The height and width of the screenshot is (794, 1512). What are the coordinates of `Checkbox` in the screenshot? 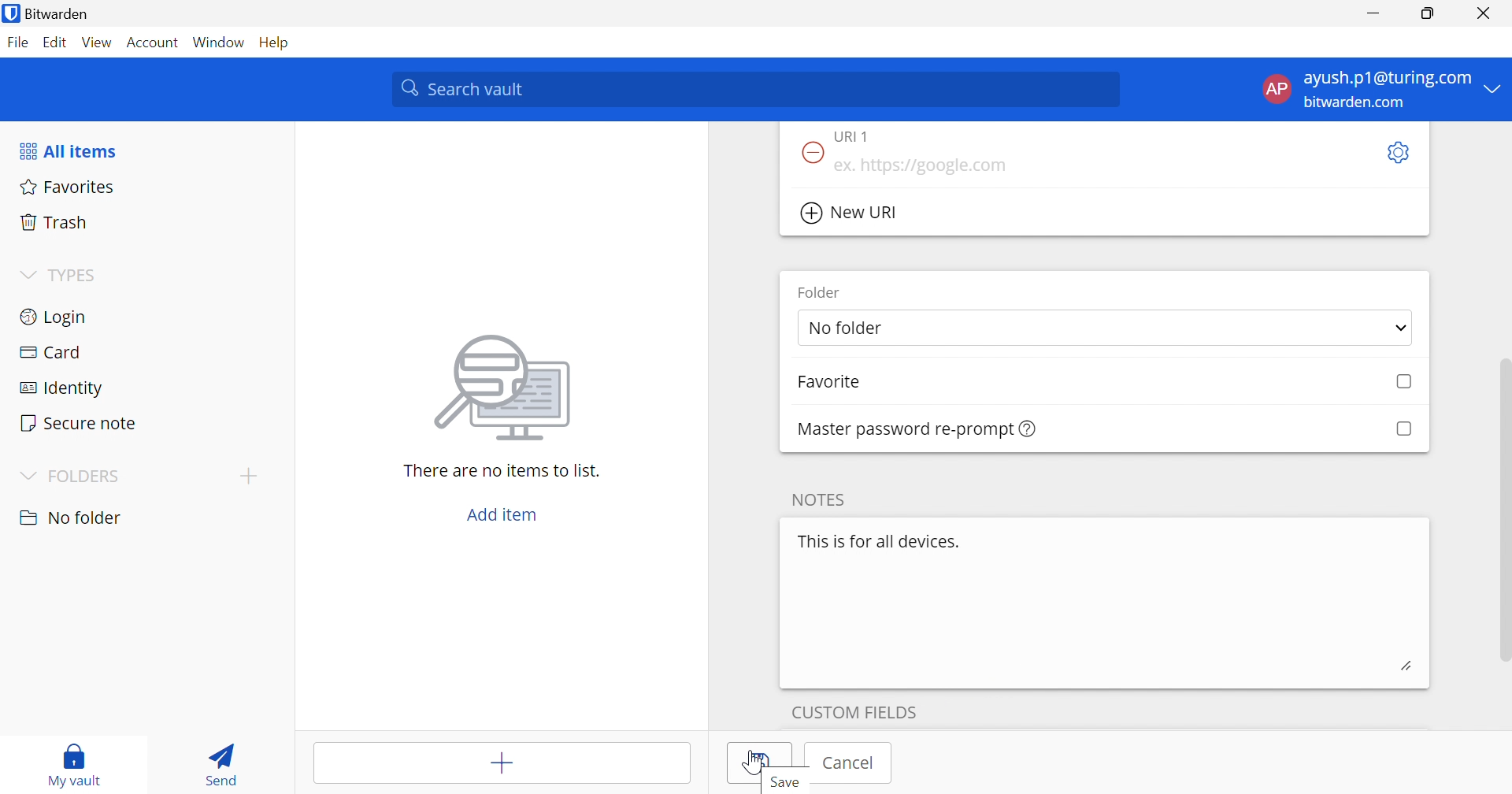 It's located at (1405, 382).